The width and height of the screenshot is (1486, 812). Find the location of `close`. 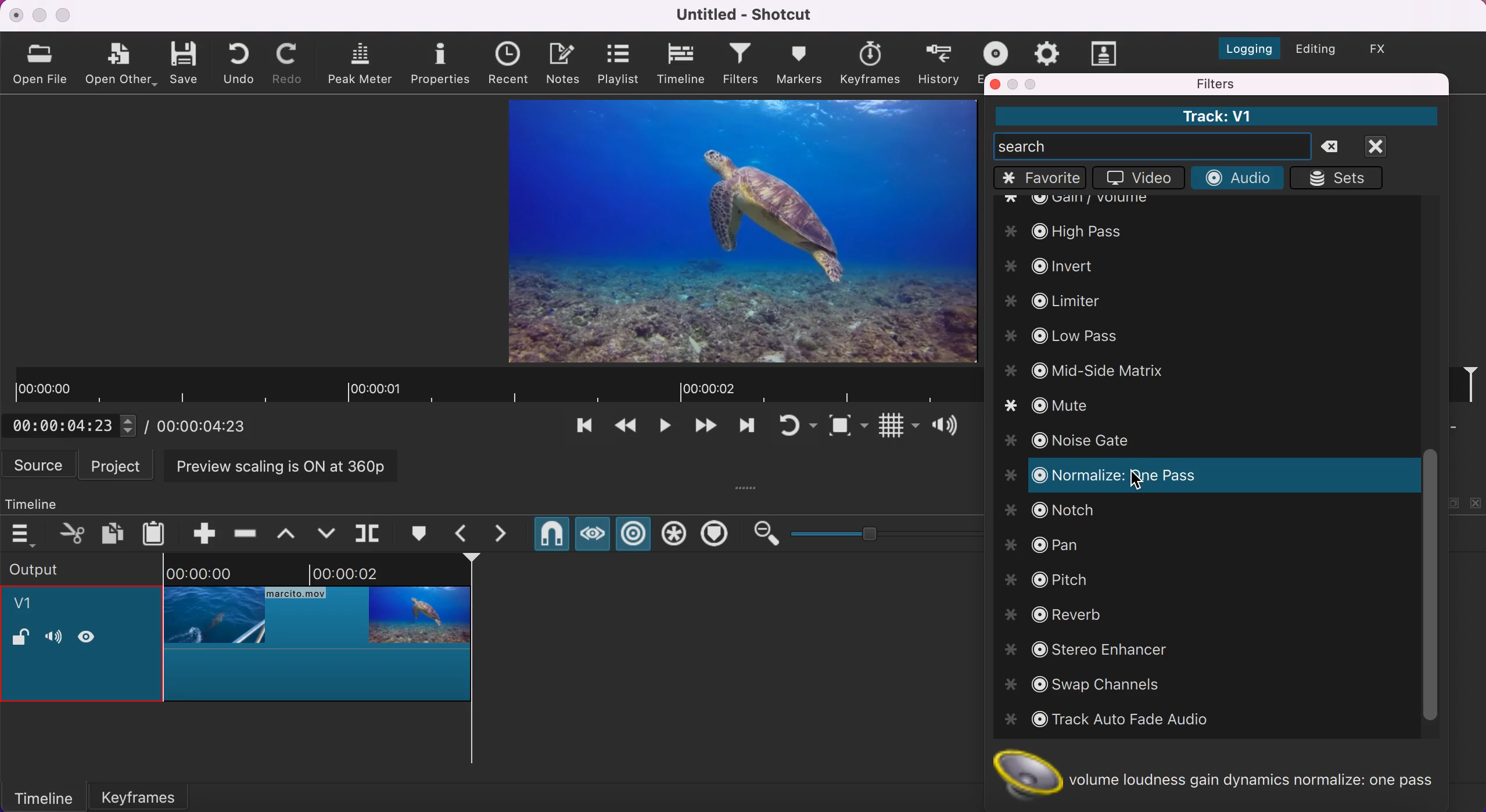

close is located at coordinates (17, 15).